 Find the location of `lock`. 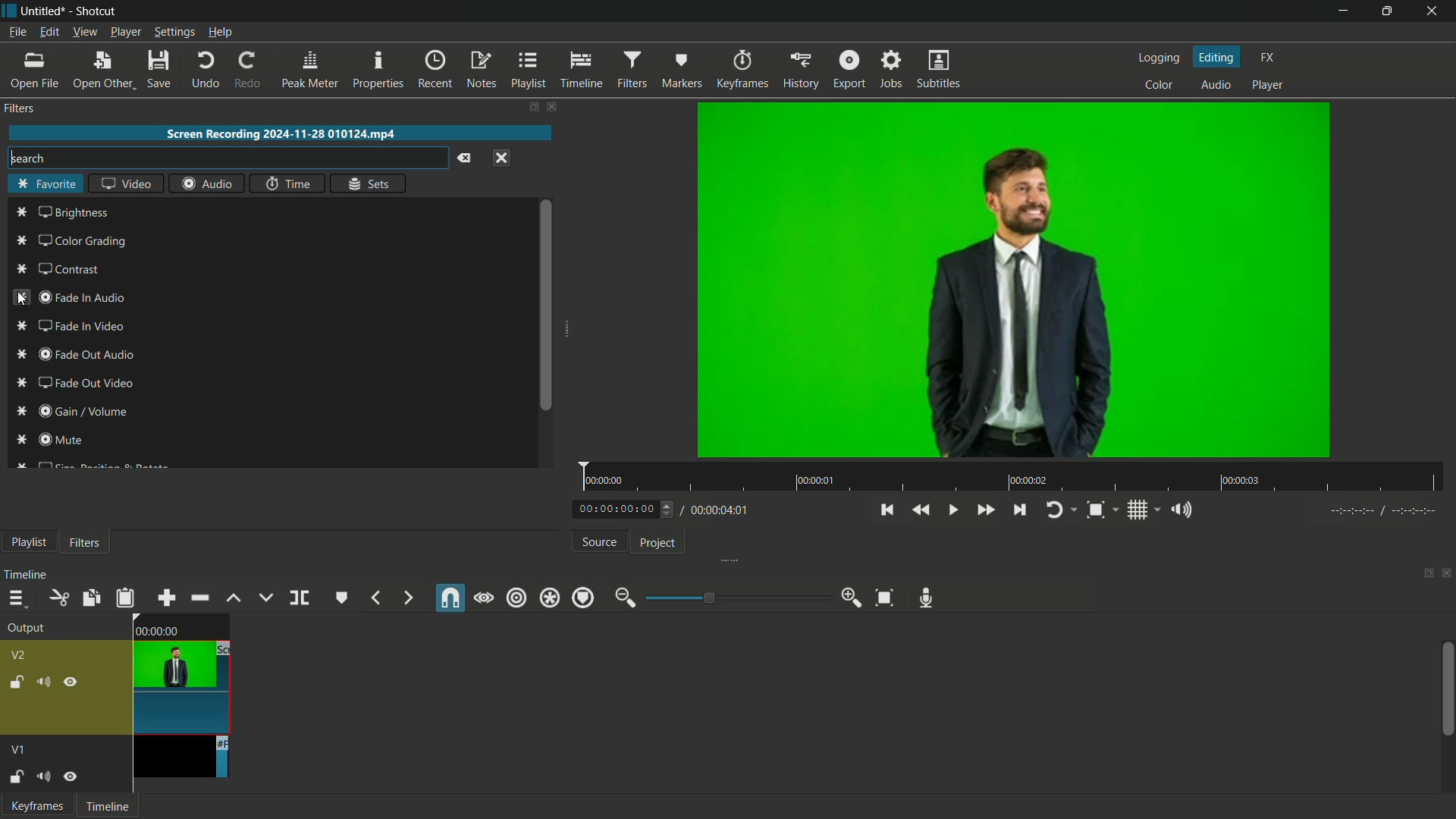

lock is located at coordinates (16, 778).